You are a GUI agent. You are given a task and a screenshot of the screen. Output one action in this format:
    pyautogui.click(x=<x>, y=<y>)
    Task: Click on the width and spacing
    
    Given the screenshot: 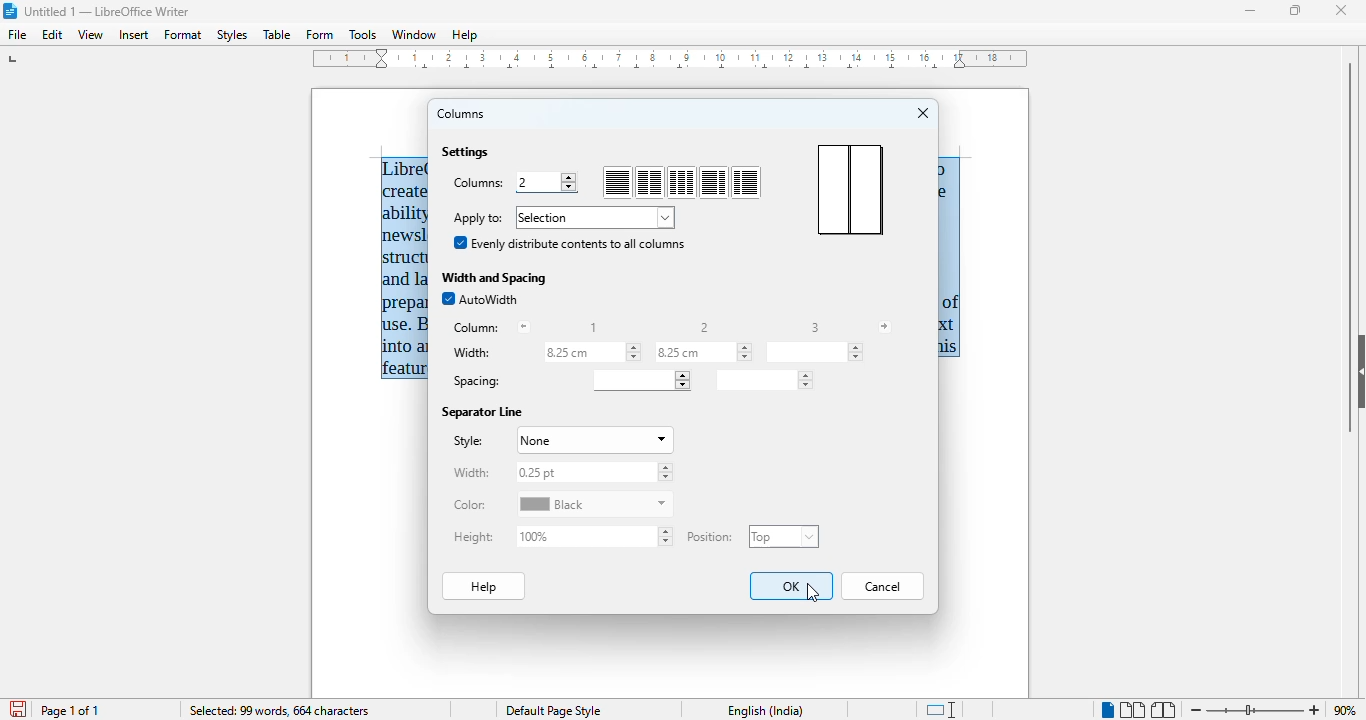 What is the action you would take?
    pyautogui.click(x=495, y=277)
    